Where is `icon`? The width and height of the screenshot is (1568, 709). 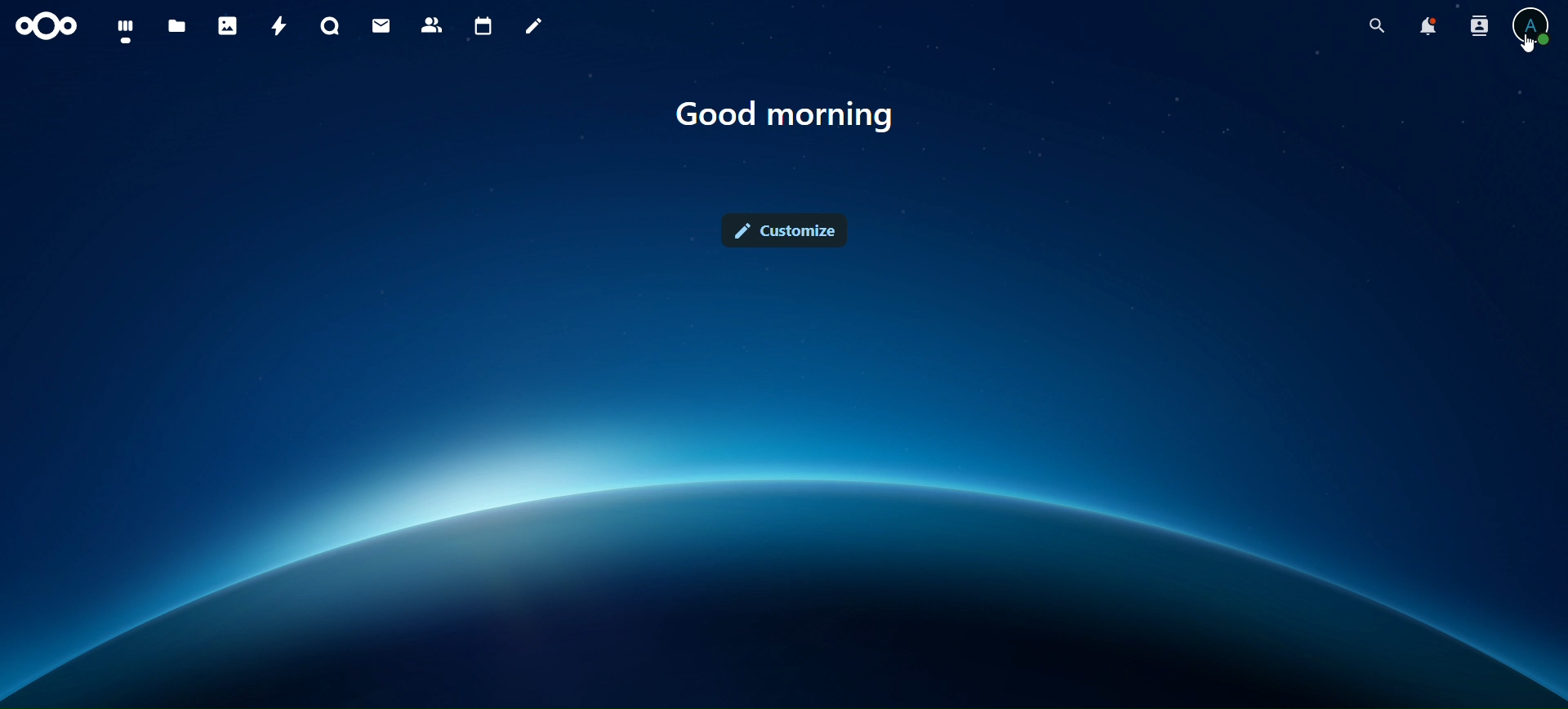
icon is located at coordinates (49, 30).